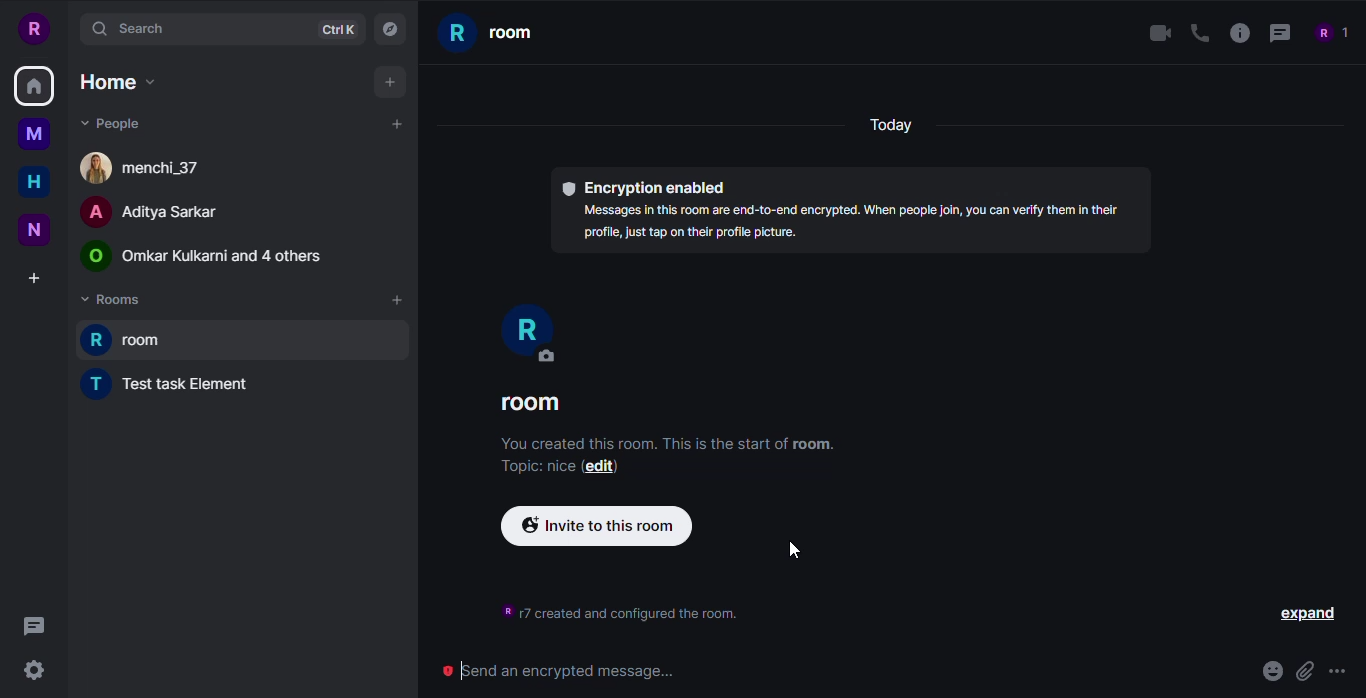 This screenshot has height=698, width=1366. What do you see at coordinates (32, 88) in the screenshot?
I see `home` at bounding box center [32, 88].